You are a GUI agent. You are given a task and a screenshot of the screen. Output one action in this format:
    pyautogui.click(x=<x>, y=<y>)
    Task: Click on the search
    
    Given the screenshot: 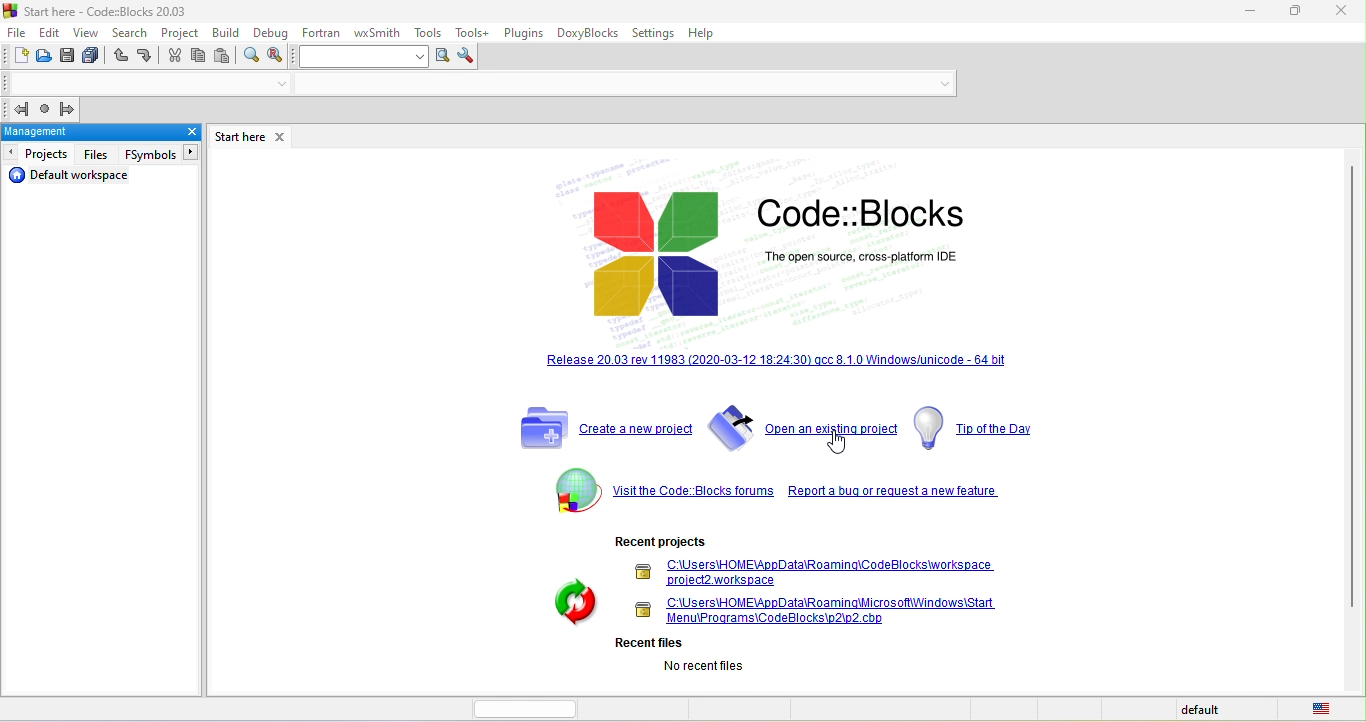 What is the action you would take?
    pyautogui.click(x=132, y=33)
    